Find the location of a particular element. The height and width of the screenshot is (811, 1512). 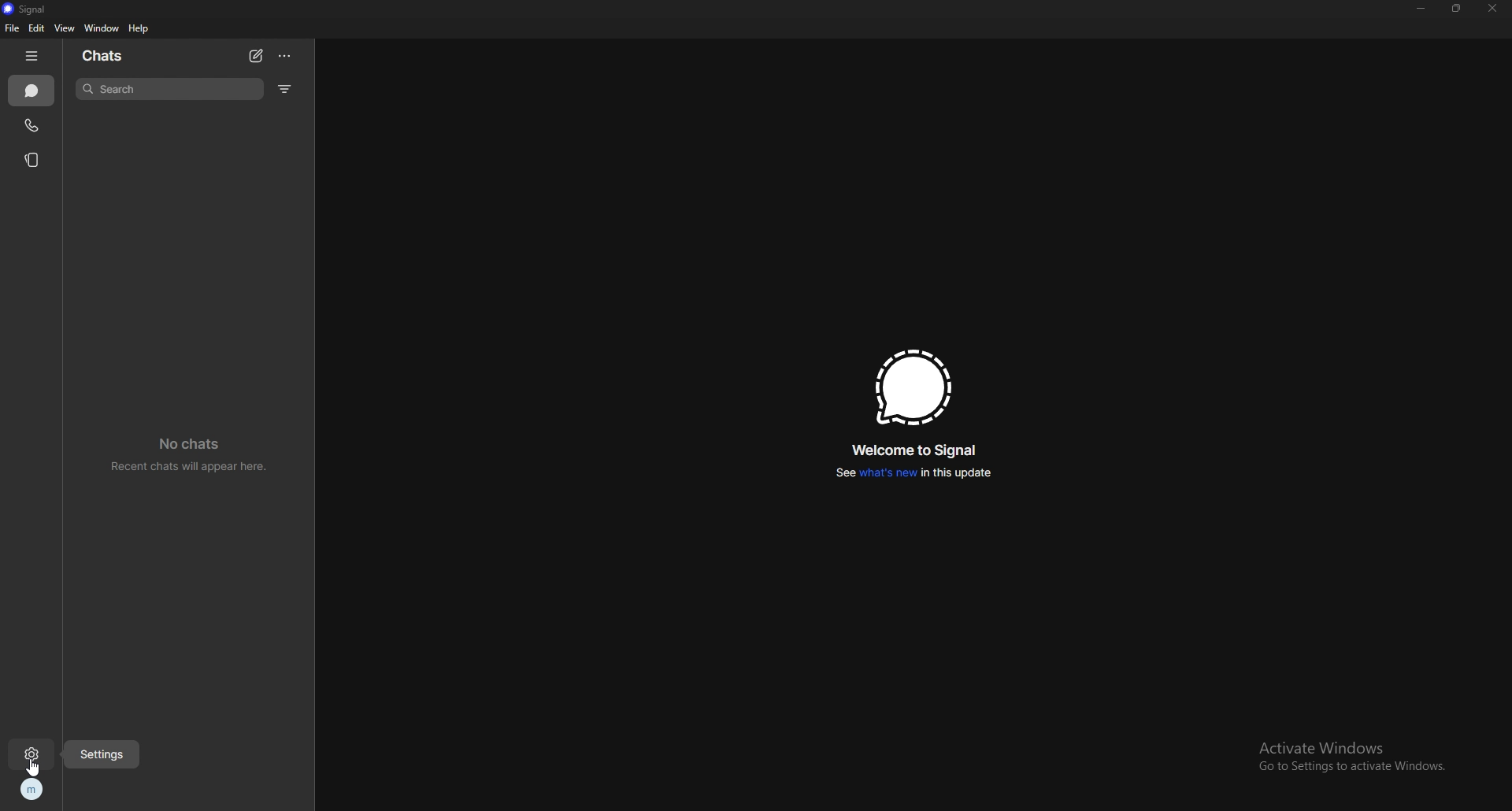

new chat is located at coordinates (257, 56).